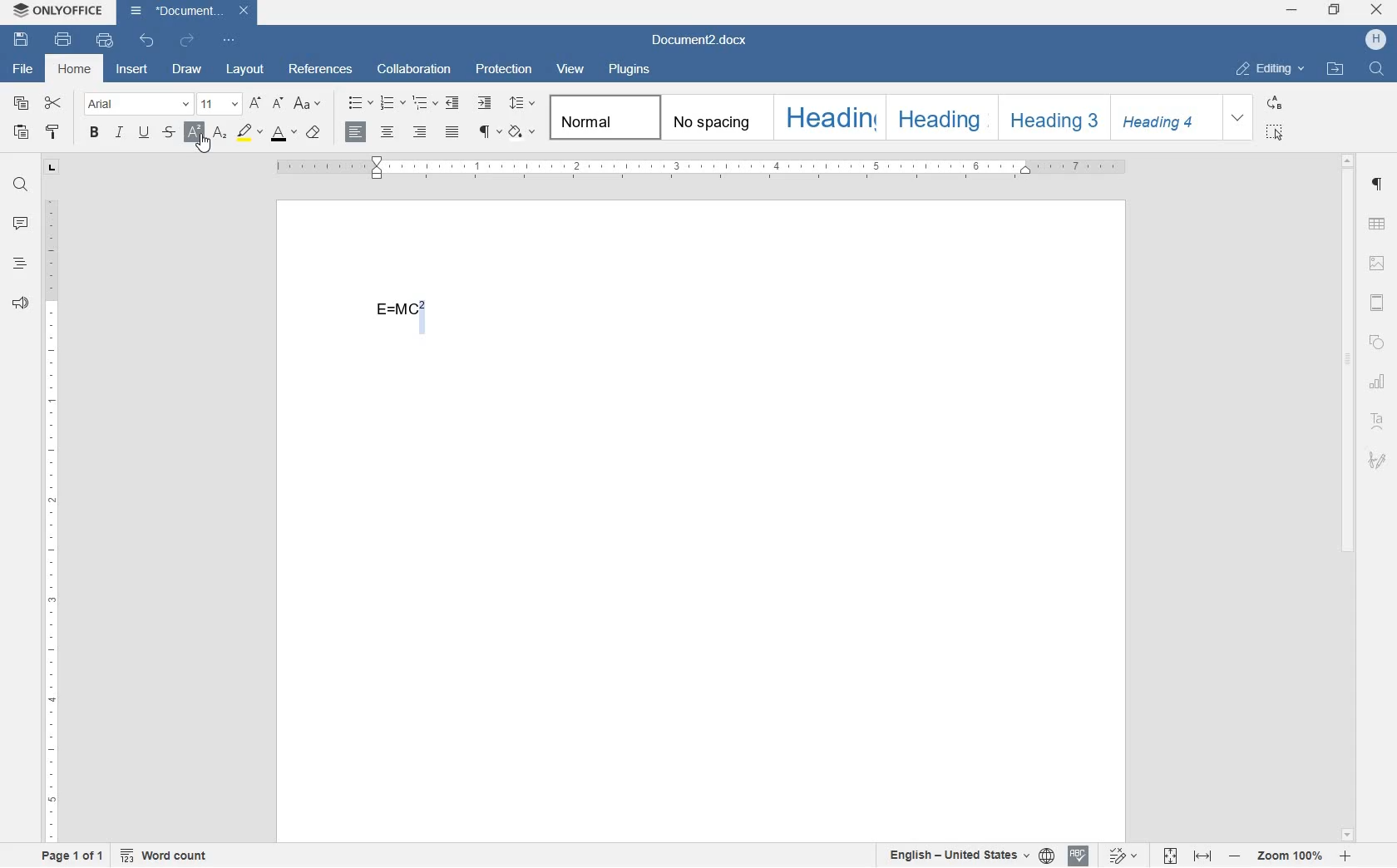  What do you see at coordinates (1379, 343) in the screenshot?
I see `shape` at bounding box center [1379, 343].